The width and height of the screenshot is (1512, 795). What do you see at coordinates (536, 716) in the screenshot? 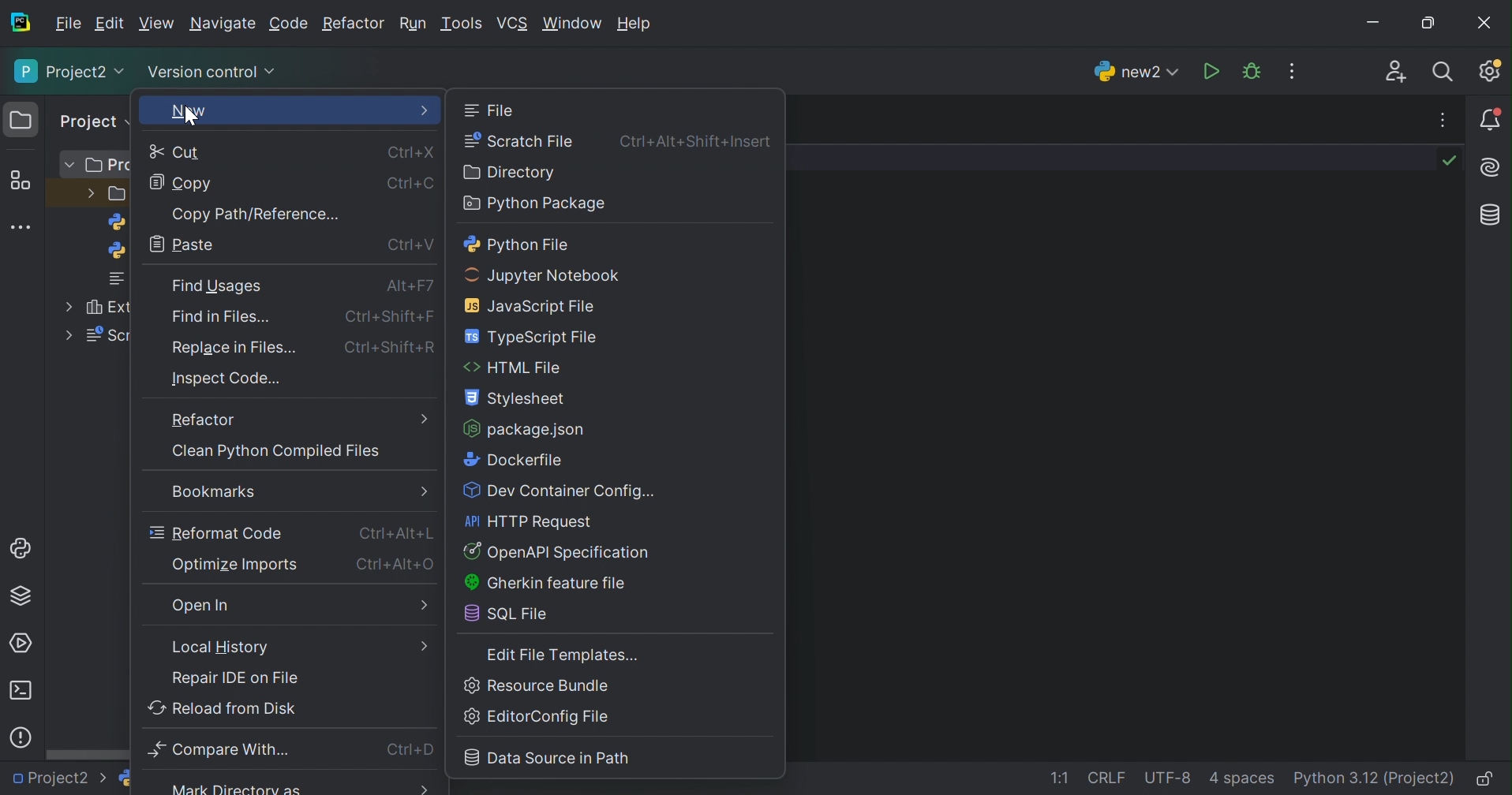
I see `Editor config file` at bounding box center [536, 716].